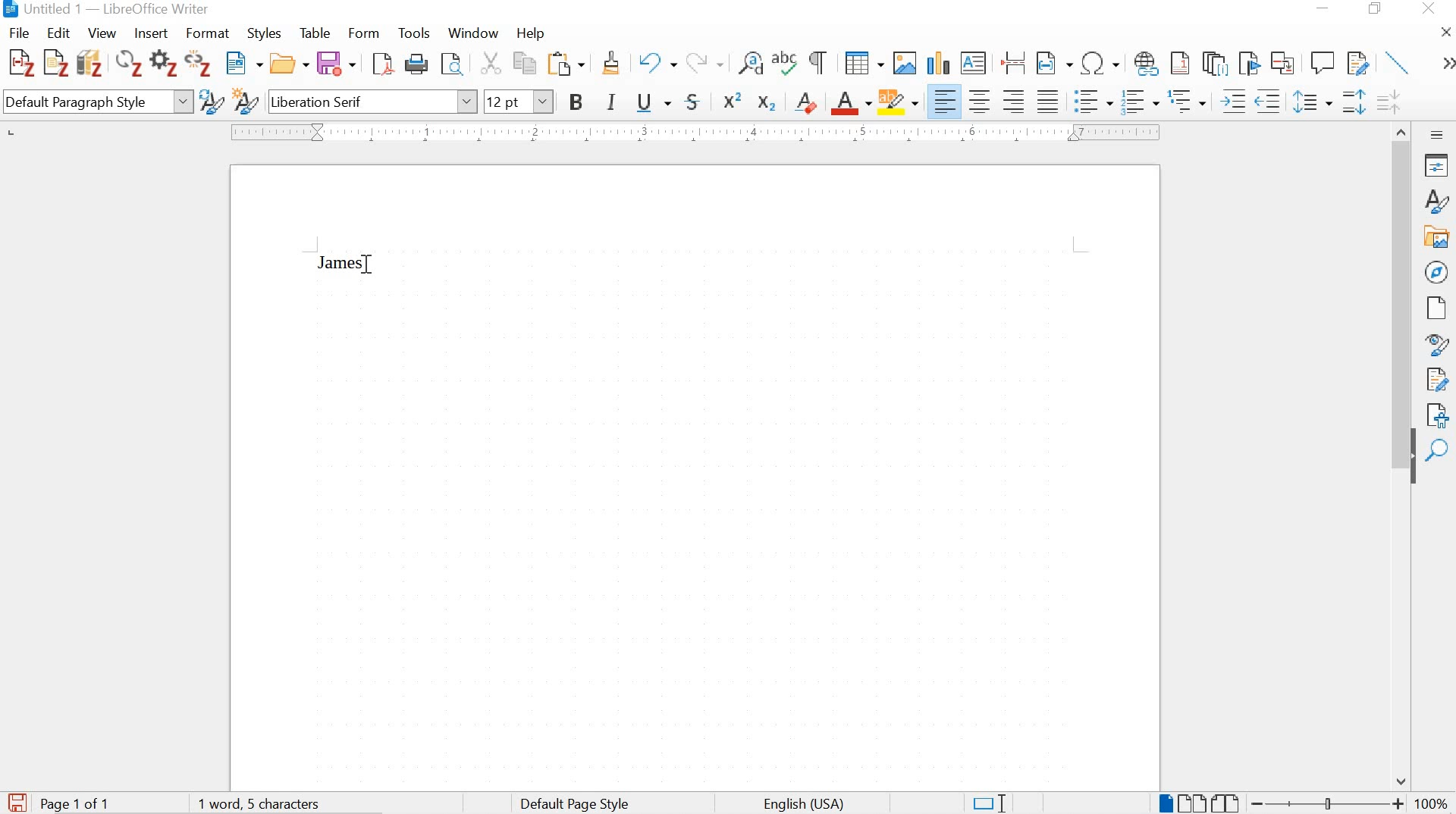 Image resolution: width=1456 pixels, height=814 pixels. What do you see at coordinates (1439, 165) in the screenshot?
I see `Properties` at bounding box center [1439, 165].